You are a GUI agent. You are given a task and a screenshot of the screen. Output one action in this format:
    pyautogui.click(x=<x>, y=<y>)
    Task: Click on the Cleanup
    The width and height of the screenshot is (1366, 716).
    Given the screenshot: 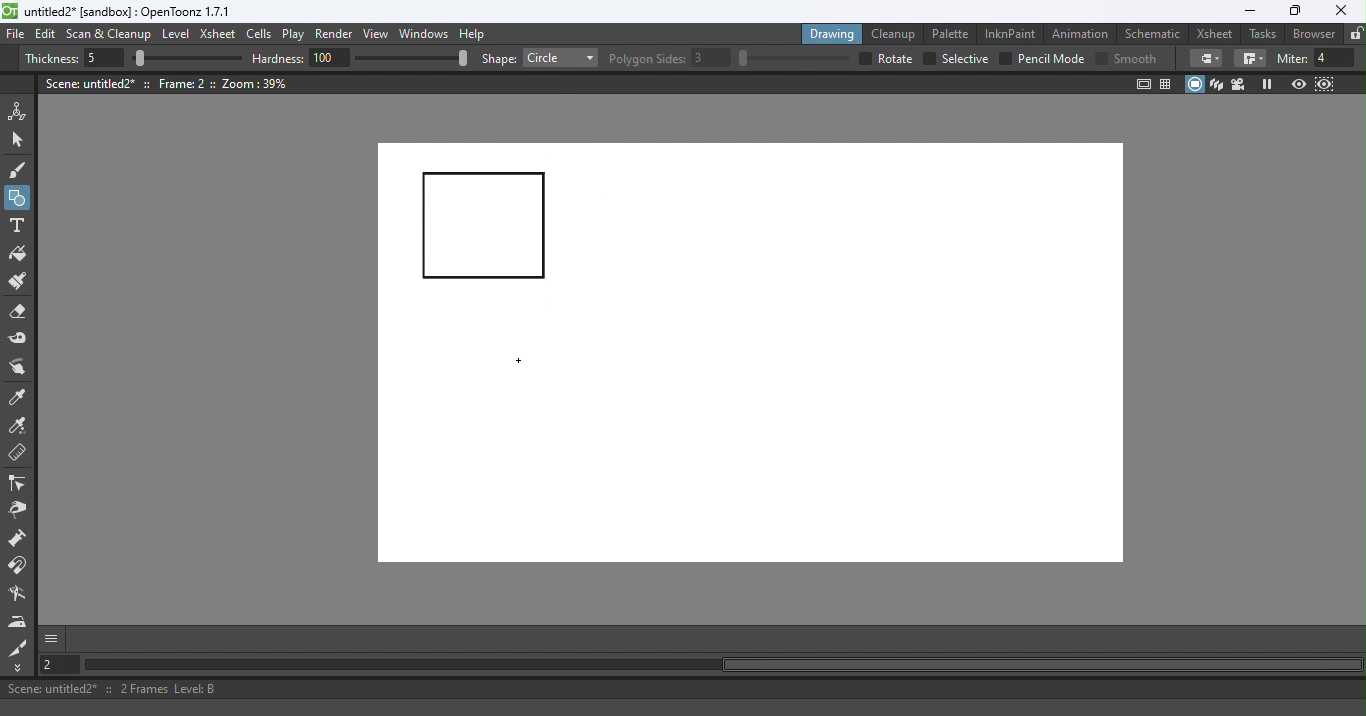 What is the action you would take?
    pyautogui.click(x=897, y=33)
    